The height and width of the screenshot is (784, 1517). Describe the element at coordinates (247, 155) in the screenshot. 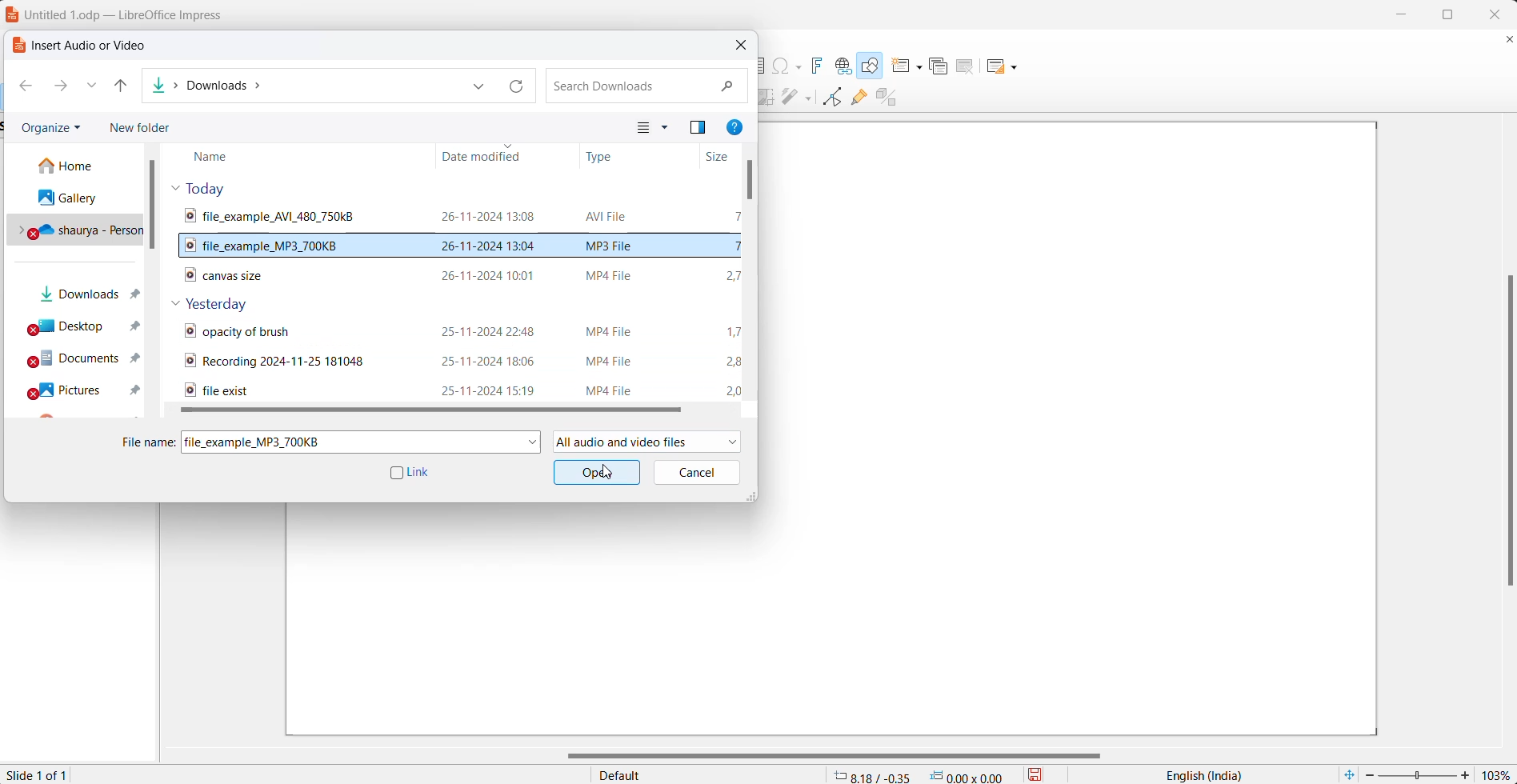

I see `name` at that location.